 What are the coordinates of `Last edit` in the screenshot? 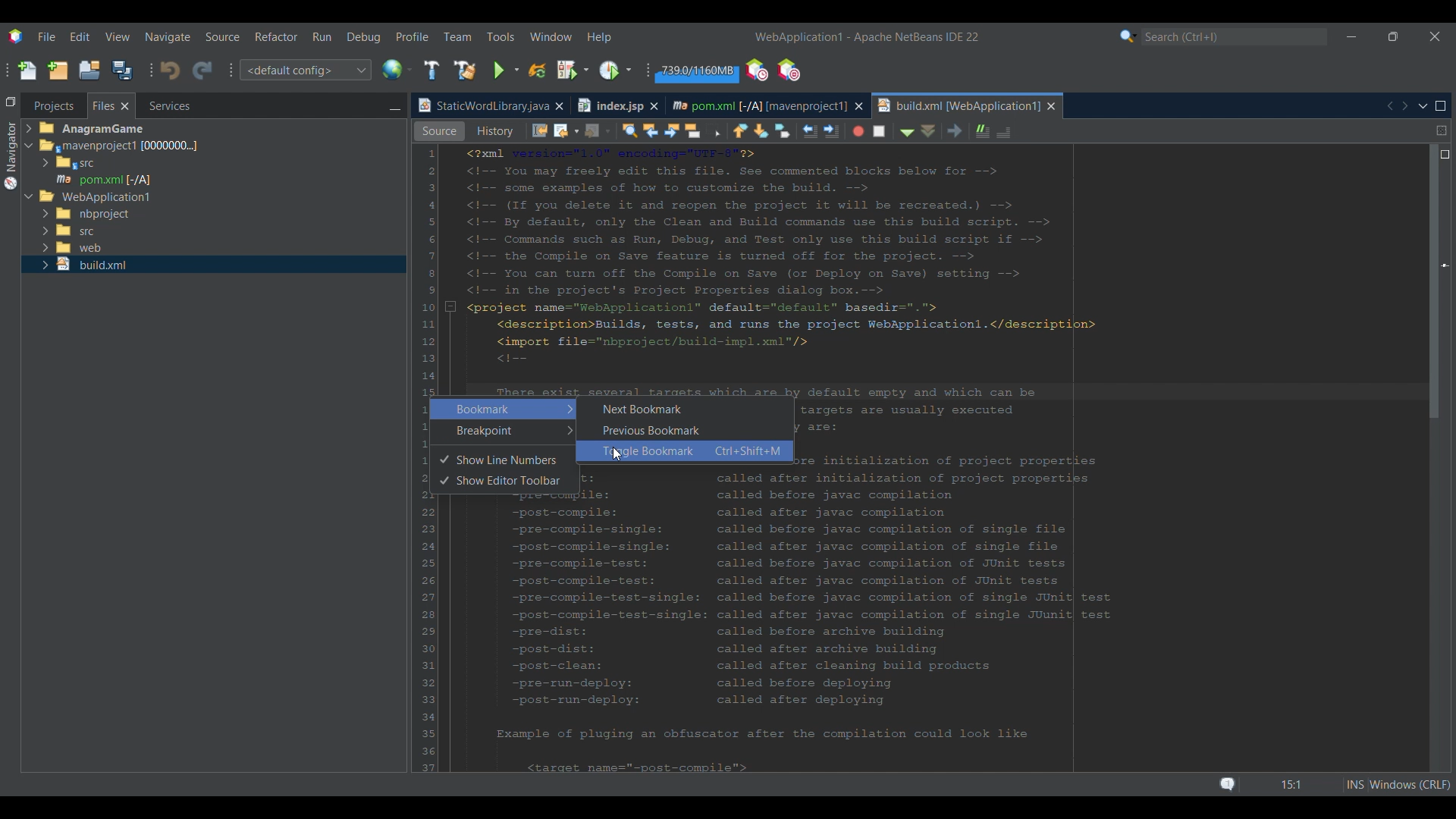 It's located at (676, 130).